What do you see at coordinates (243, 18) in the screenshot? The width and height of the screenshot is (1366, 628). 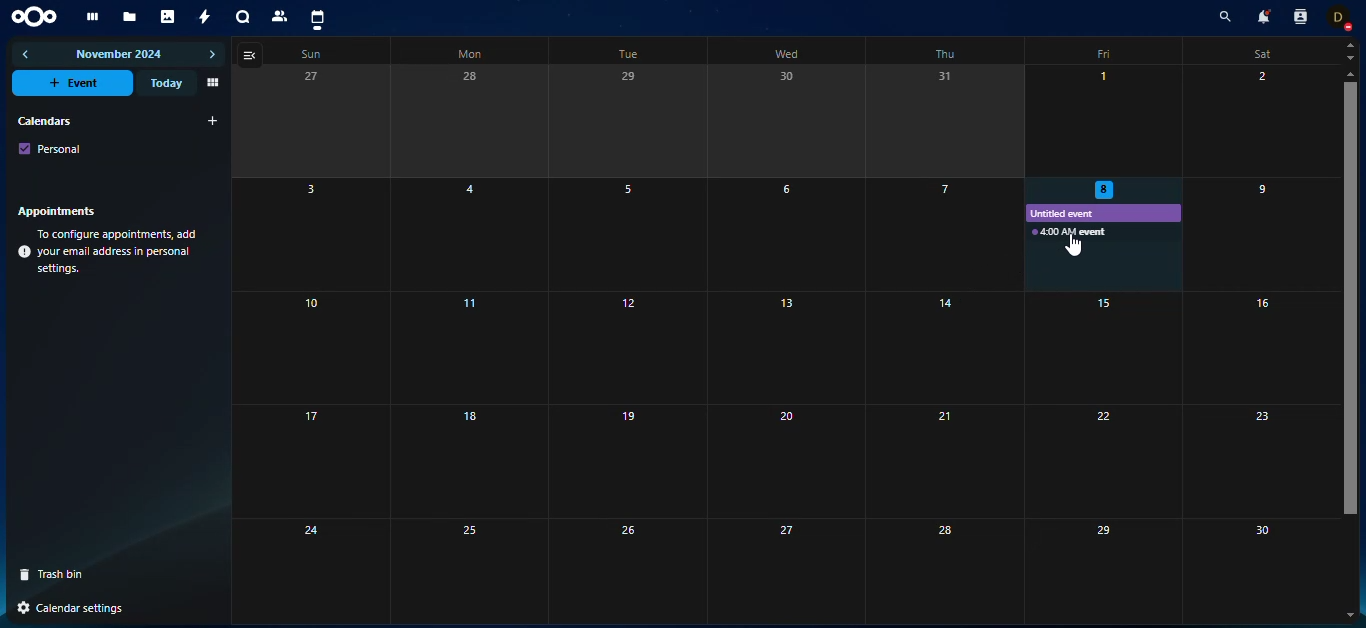 I see `talk` at bounding box center [243, 18].